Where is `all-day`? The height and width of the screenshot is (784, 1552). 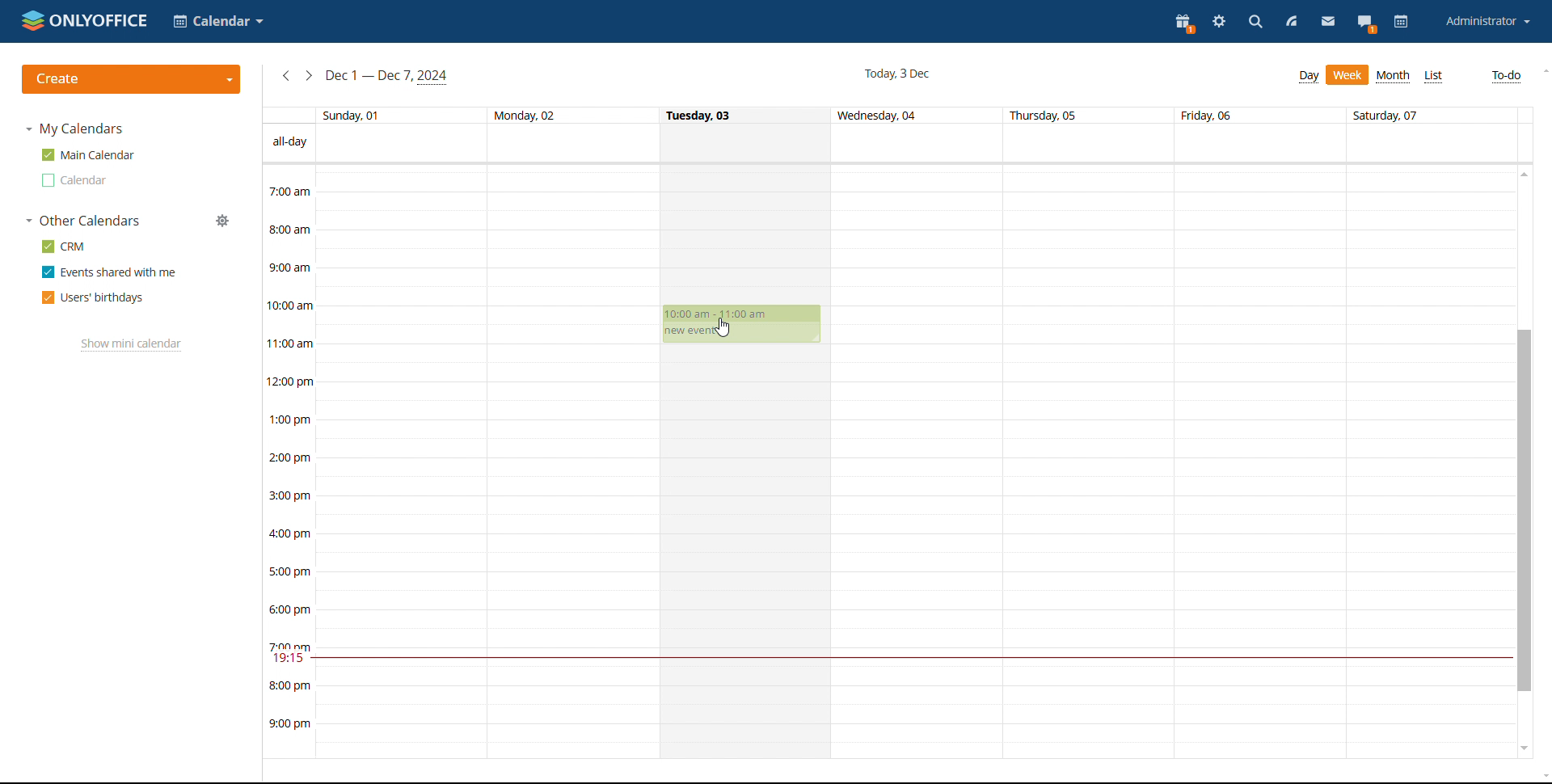 all-day is located at coordinates (290, 141).